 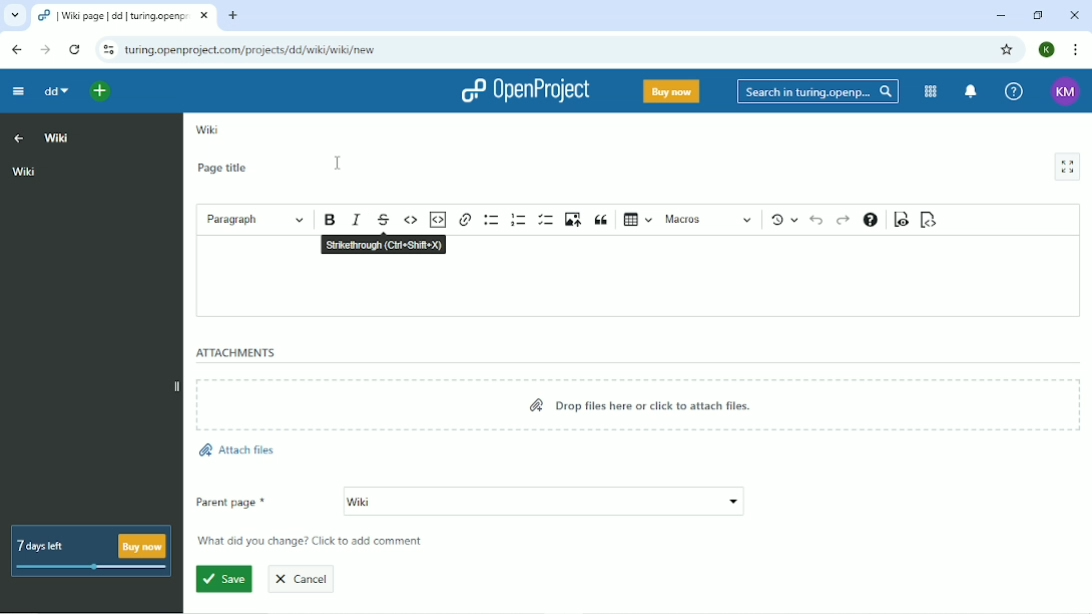 What do you see at coordinates (1047, 50) in the screenshot?
I see `Account` at bounding box center [1047, 50].